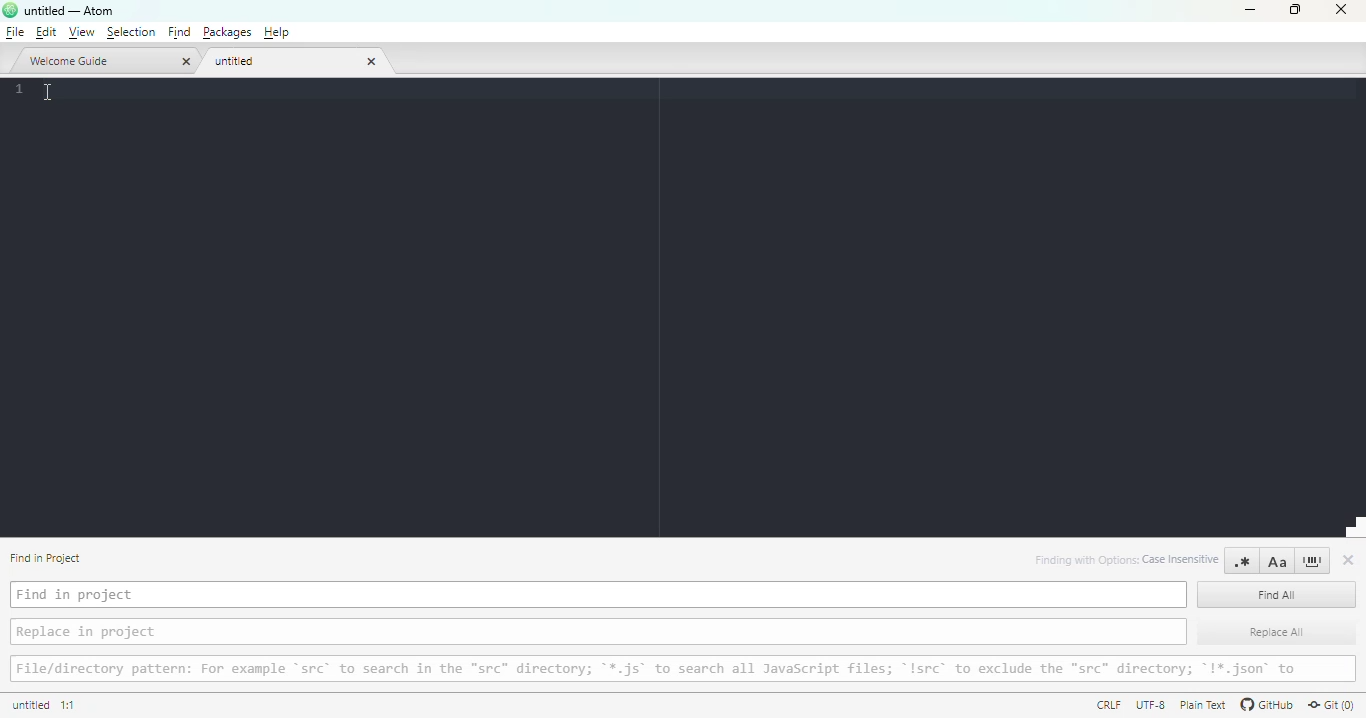 Image resolution: width=1366 pixels, height=718 pixels. Describe the element at coordinates (9, 9) in the screenshot. I see `logo` at that location.